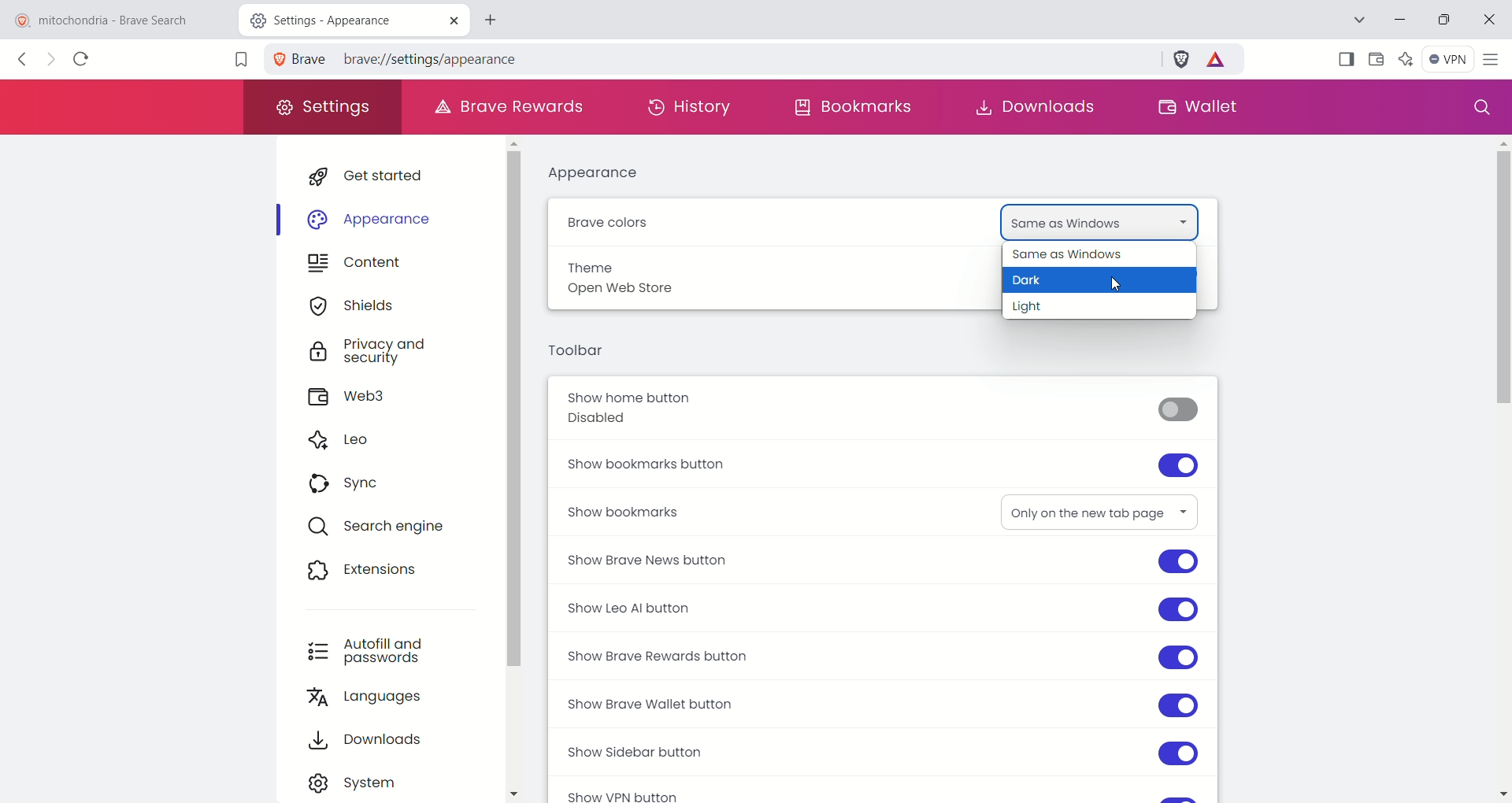 The height and width of the screenshot is (803, 1512). What do you see at coordinates (358, 305) in the screenshot?
I see `shields` at bounding box center [358, 305].